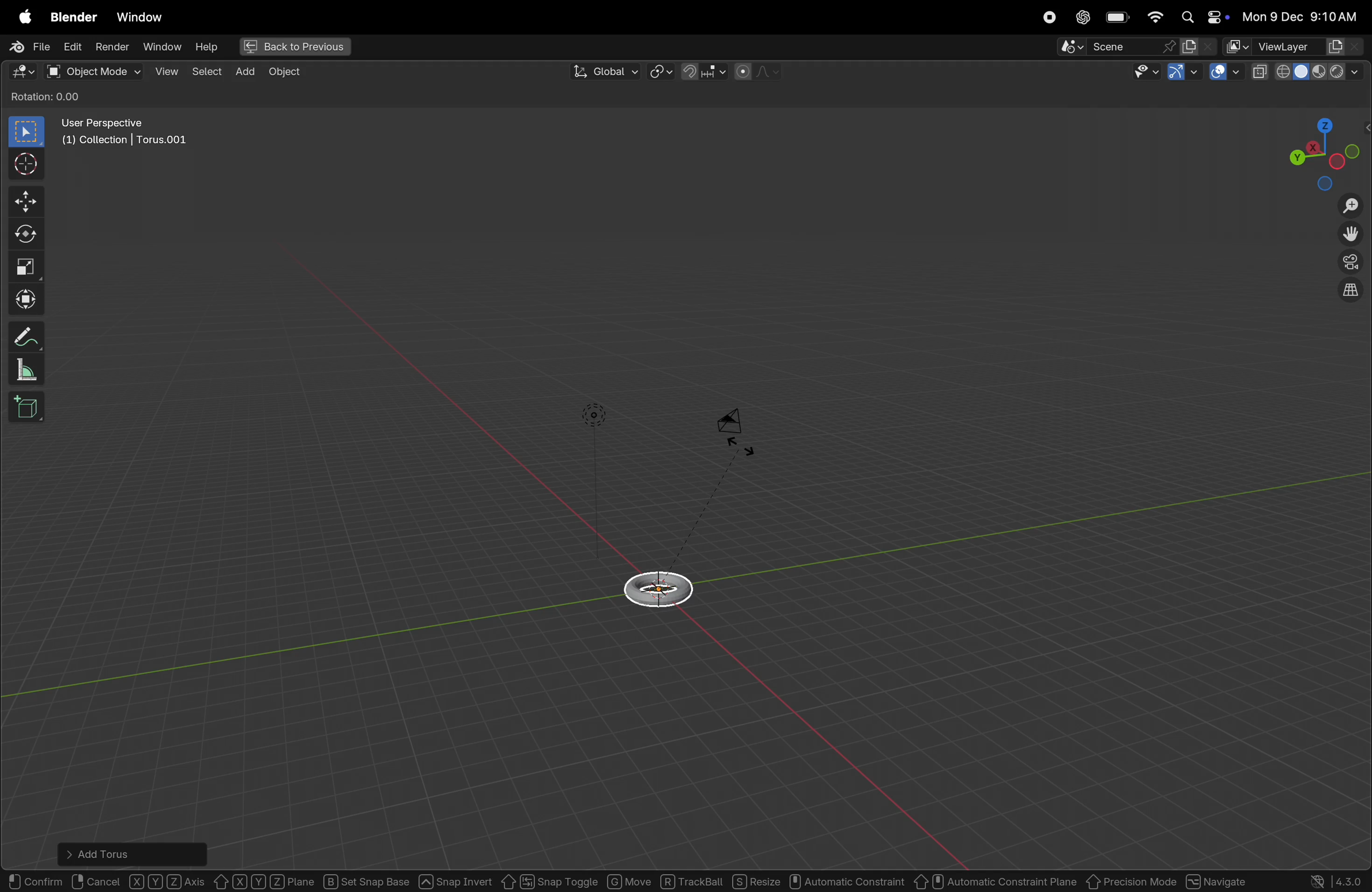 The image size is (1372, 892). Describe the element at coordinates (27, 132) in the screenshot. I see `select` at that location.